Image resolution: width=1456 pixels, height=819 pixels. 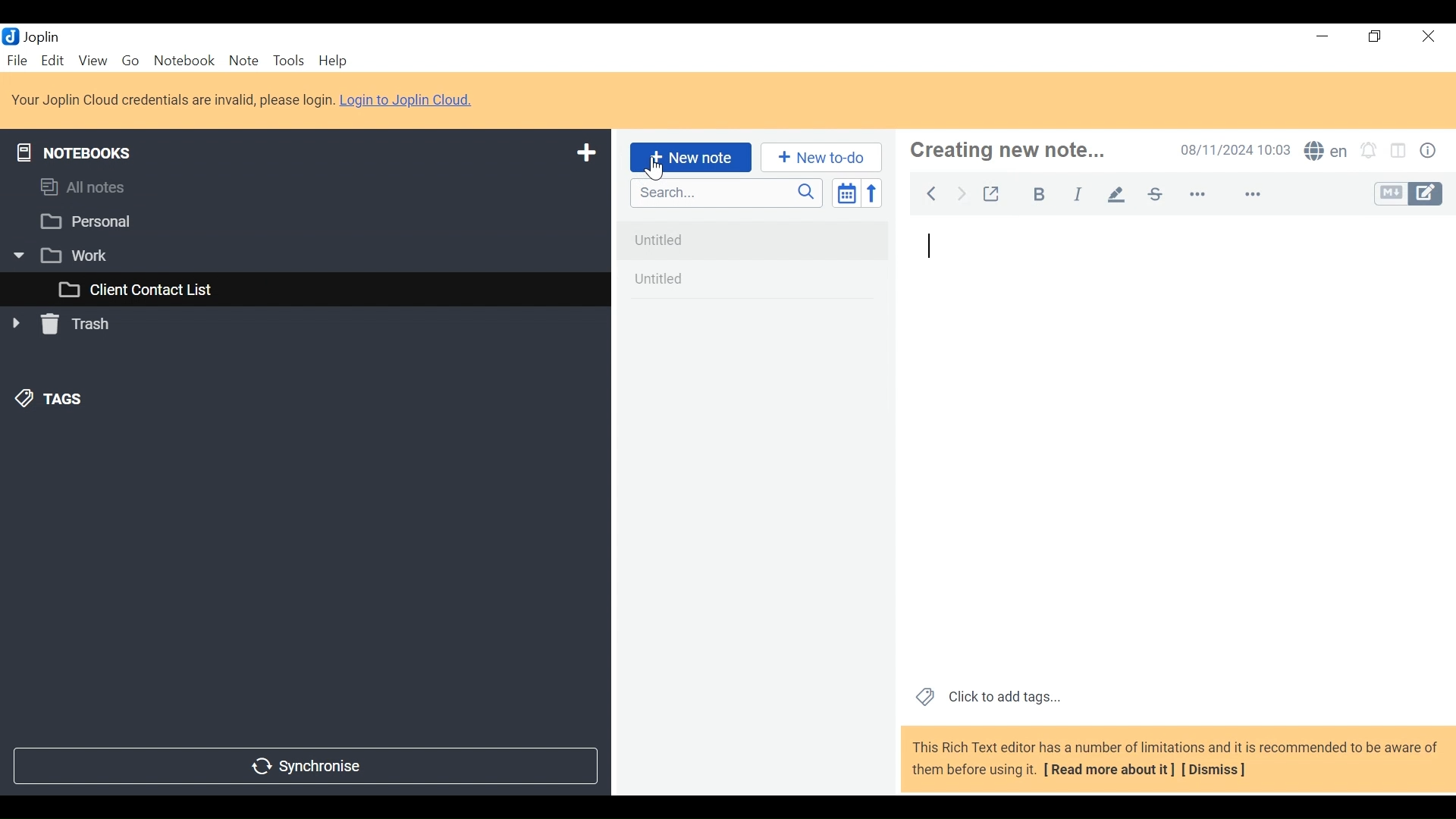 I want to click on Help, so click(x=331, y=61).